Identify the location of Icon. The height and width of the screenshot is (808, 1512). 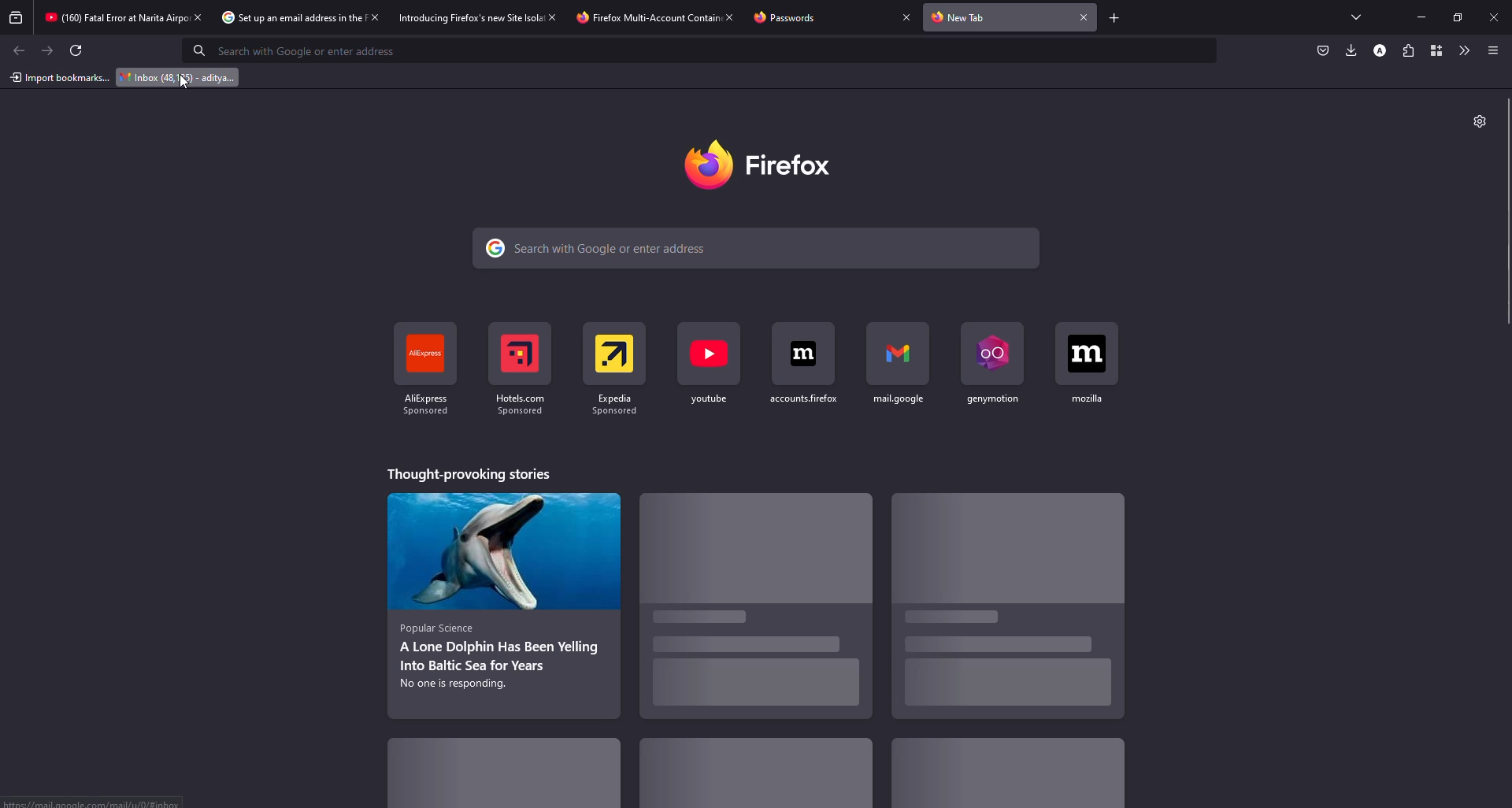
(417, 352).